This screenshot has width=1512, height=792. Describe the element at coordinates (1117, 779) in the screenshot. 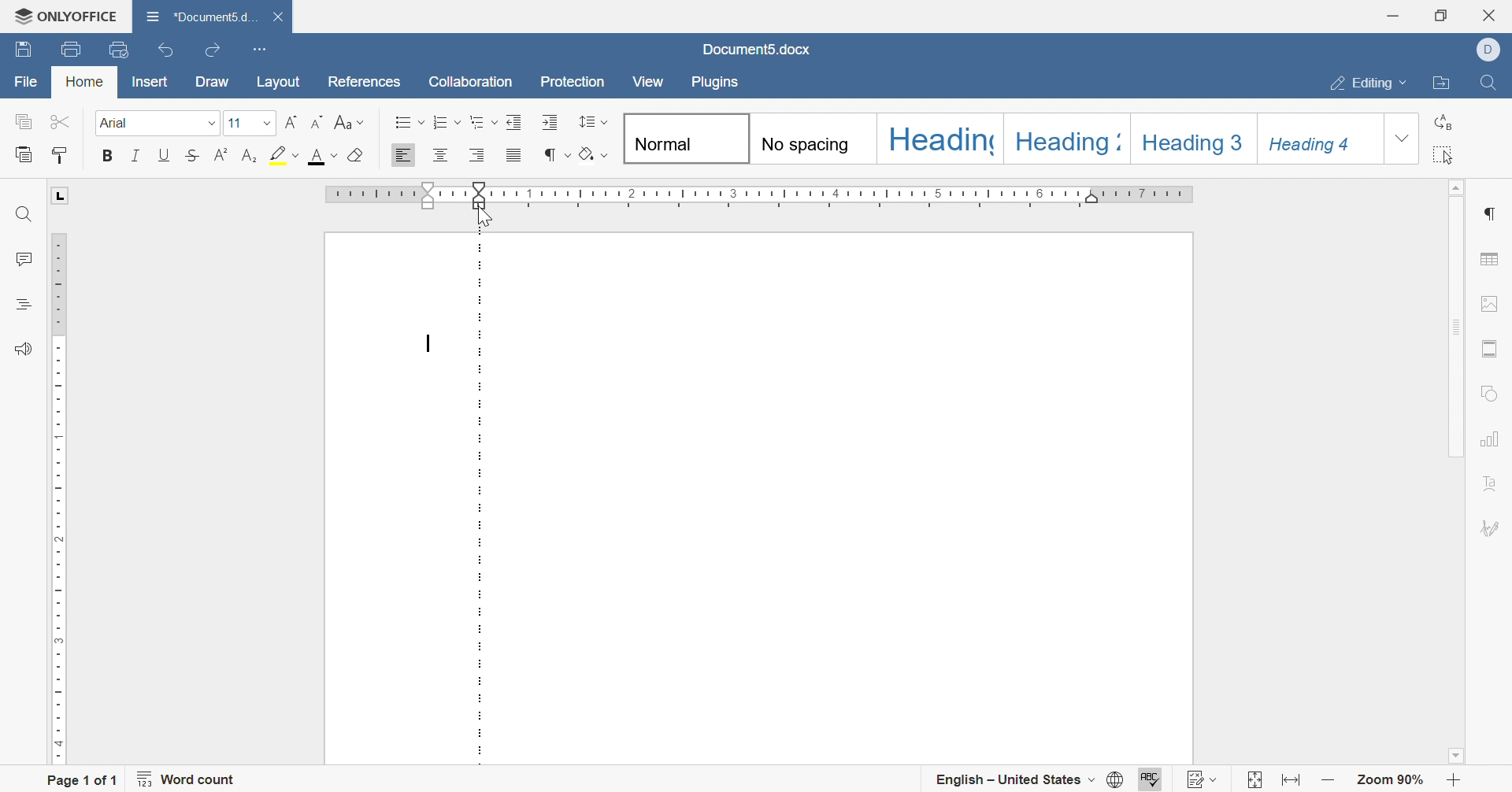

I see `set document language` at that location.